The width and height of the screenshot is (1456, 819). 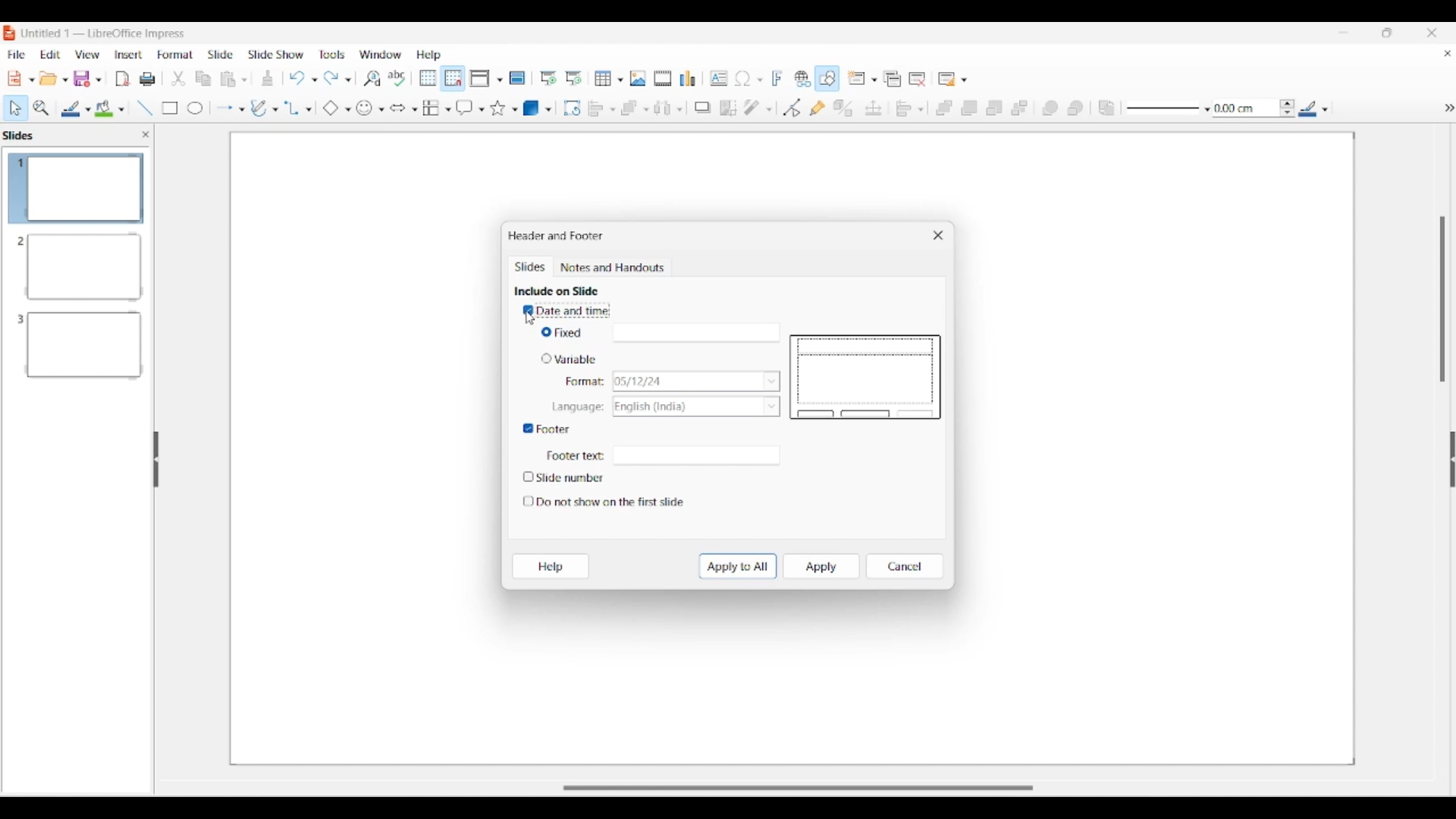 What do you see at coordinates (748, 78) in the screenshot?
I see `Insert special character options` at bounding box center [748, 78].